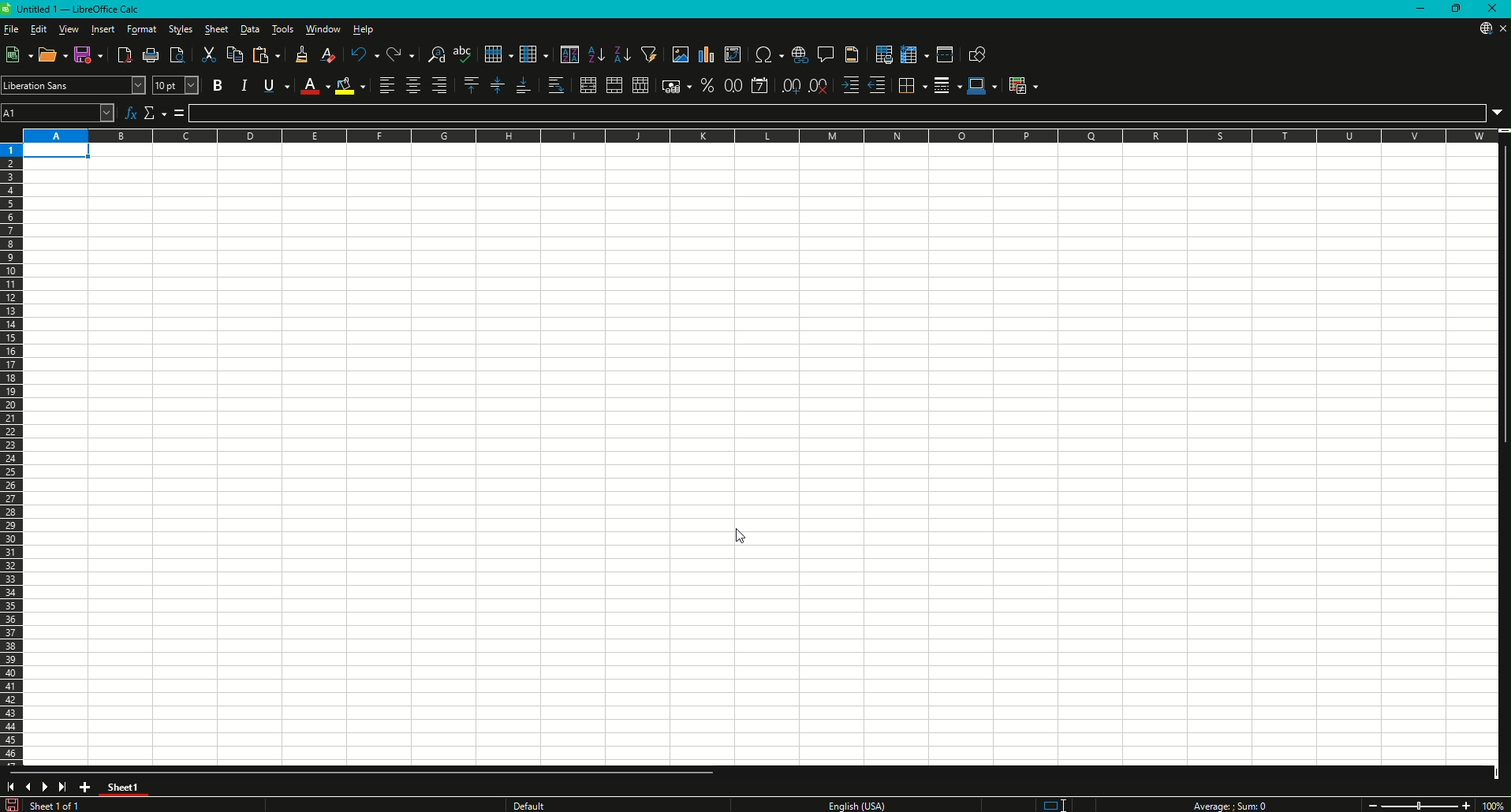  I want to click on Export Directly as PDF, so click(125, 54).